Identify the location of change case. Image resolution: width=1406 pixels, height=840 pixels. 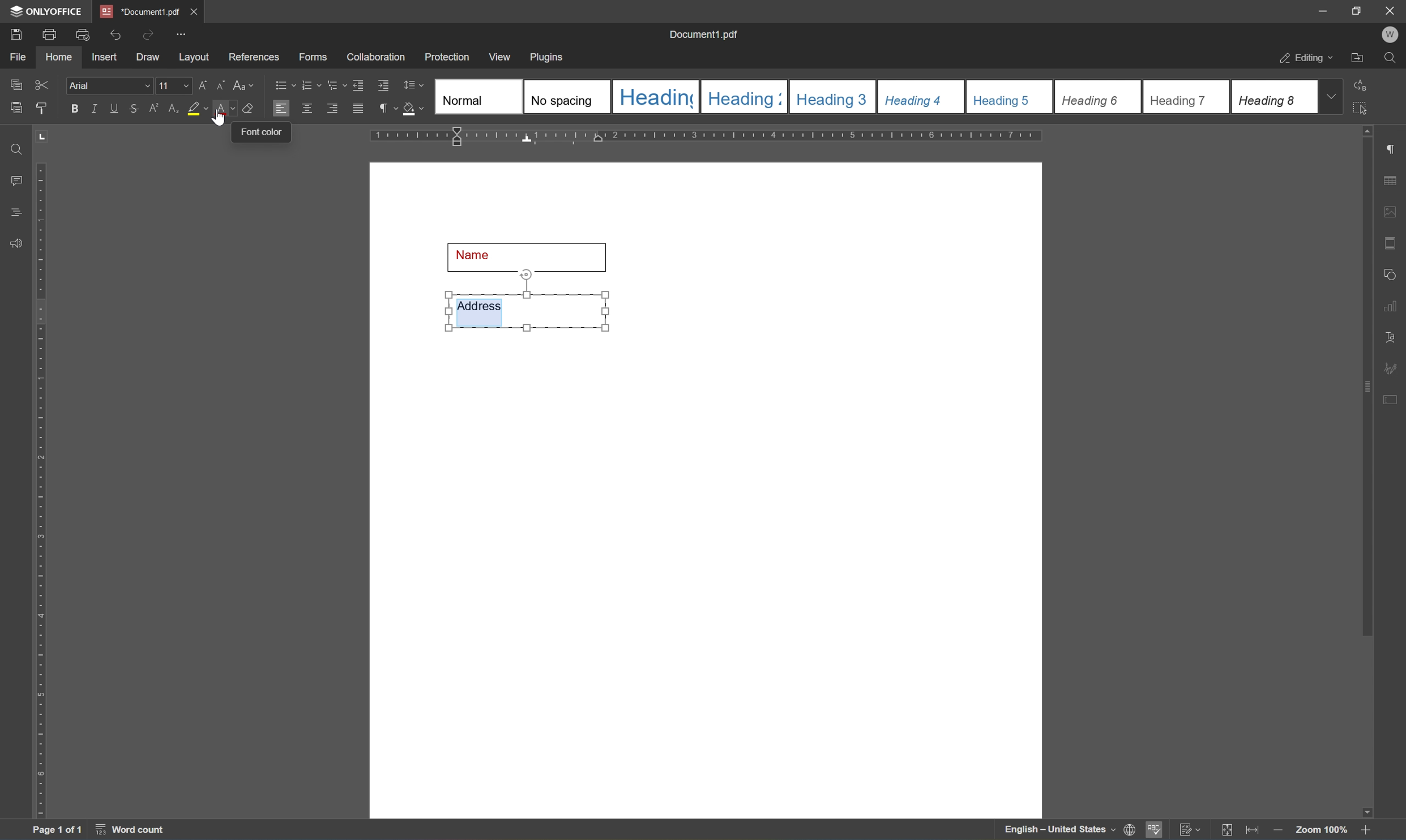
(245, 87).